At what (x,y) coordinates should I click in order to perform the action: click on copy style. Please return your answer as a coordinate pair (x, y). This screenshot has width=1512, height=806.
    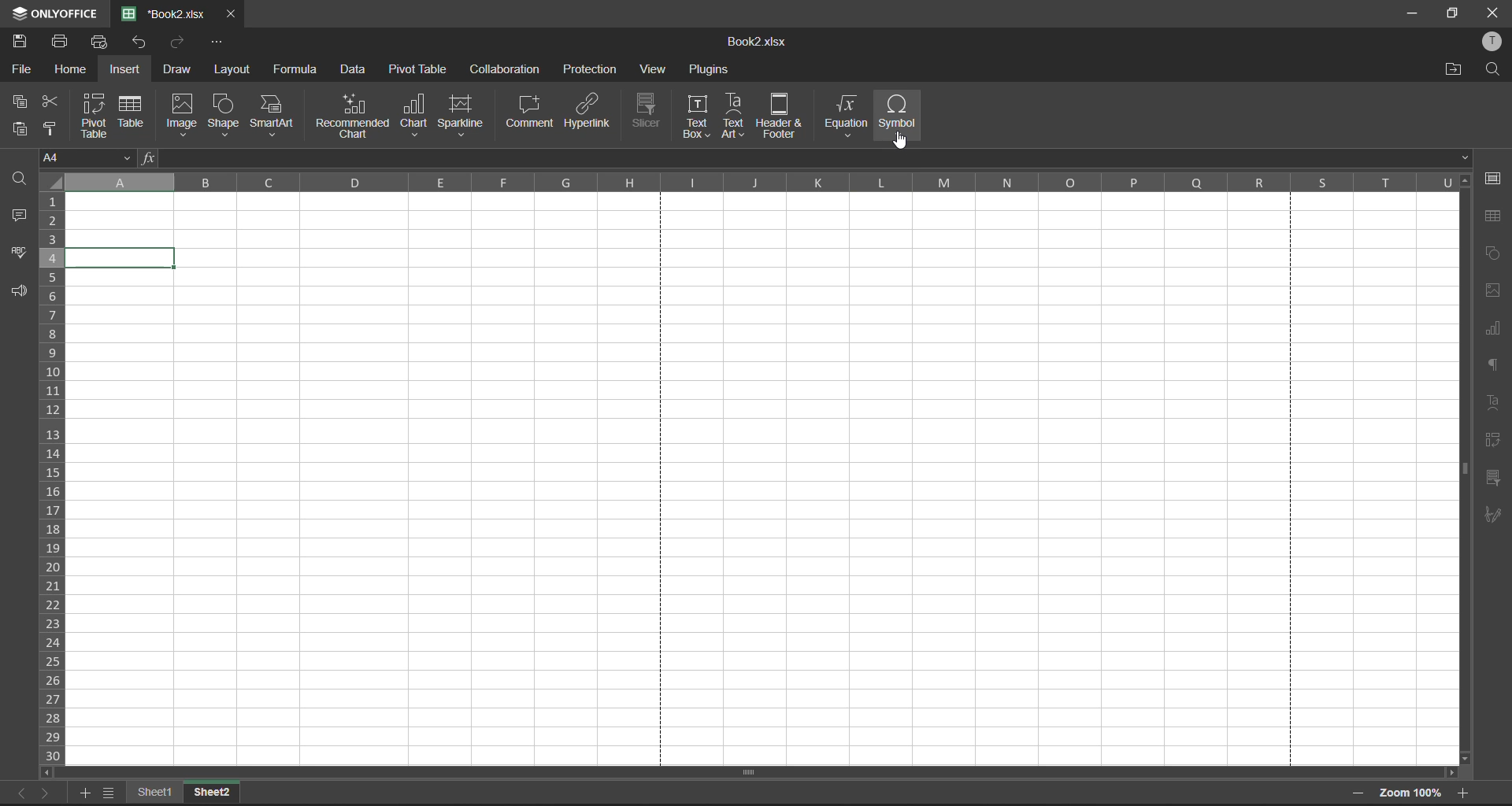
    Looking at the image, I should click on (50, 130).